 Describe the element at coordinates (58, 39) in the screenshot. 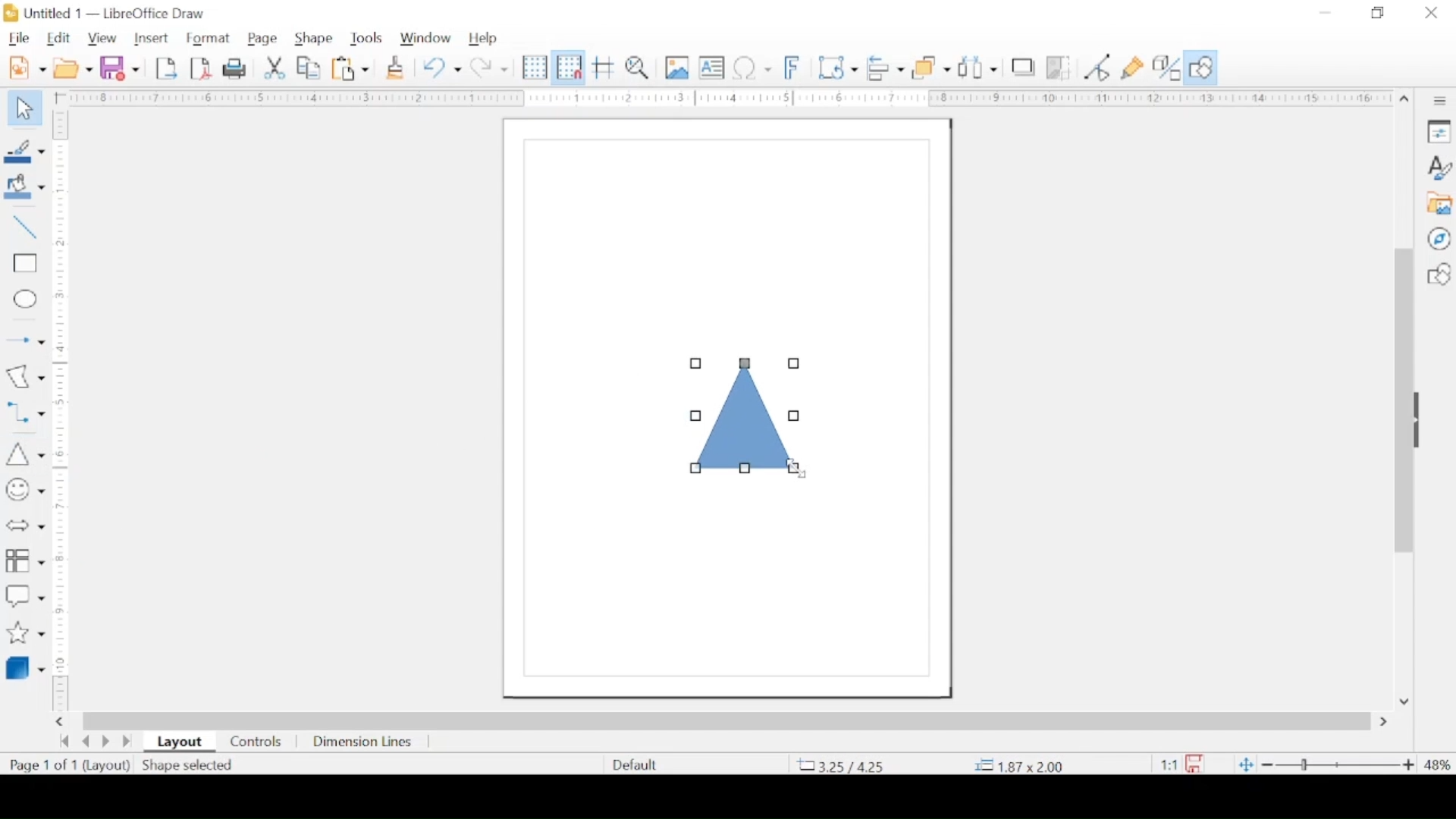

I see `edit` at that location.